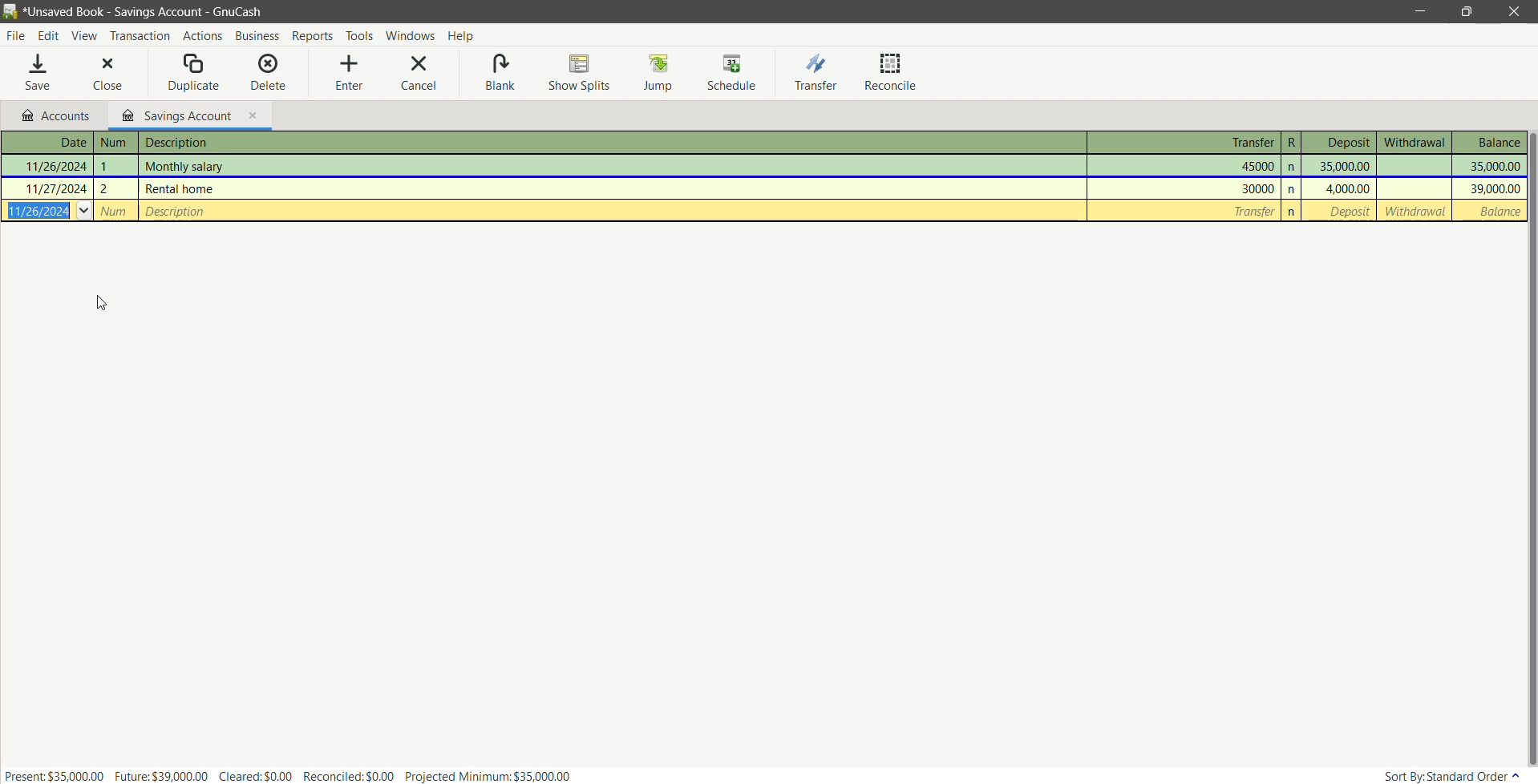 The height and width of the screenshot is (784, 1538). I want to click on n, so click(1294, 188).